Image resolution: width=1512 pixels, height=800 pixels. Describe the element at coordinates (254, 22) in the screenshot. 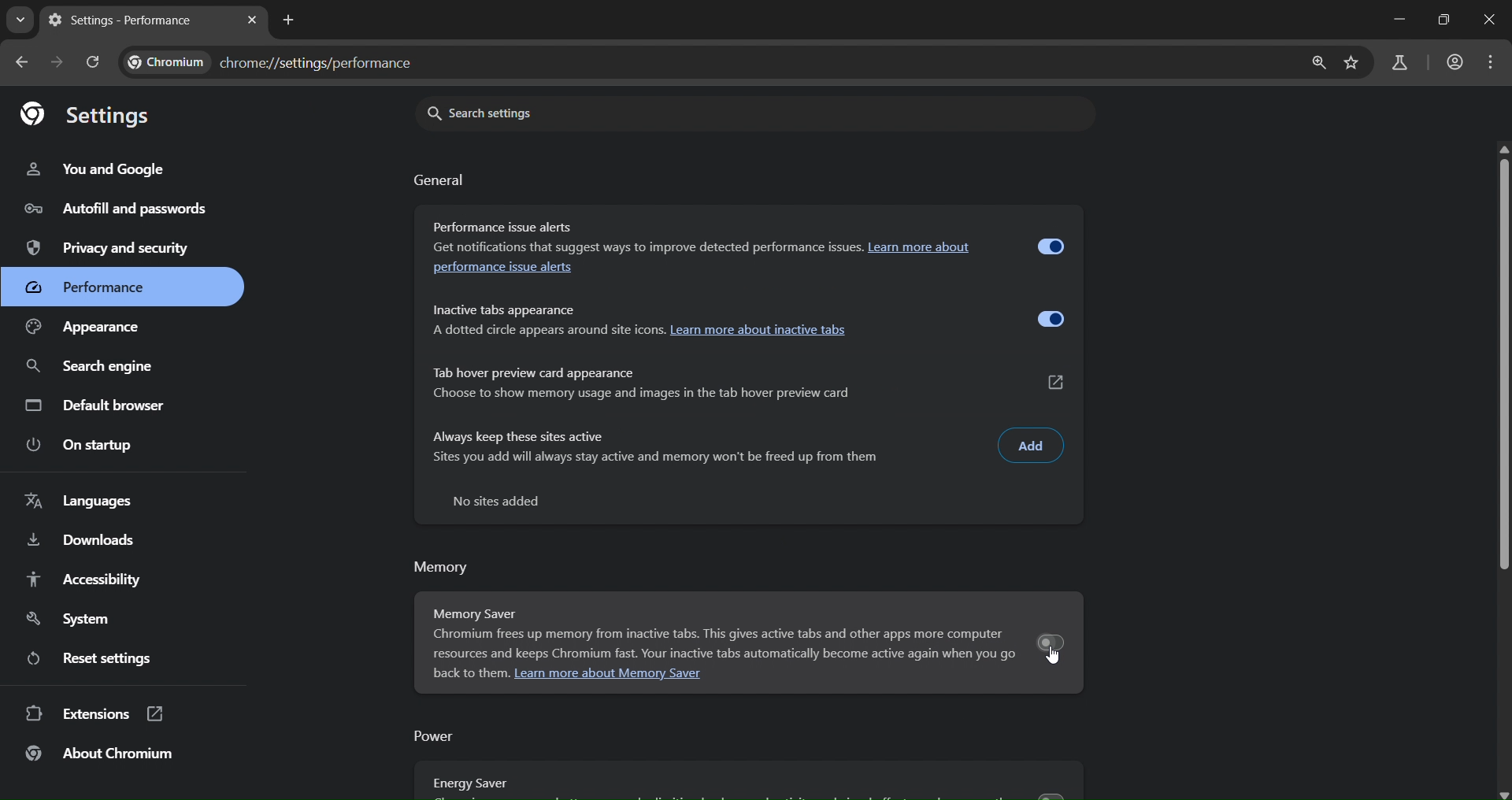

I see `close tab` at that location.